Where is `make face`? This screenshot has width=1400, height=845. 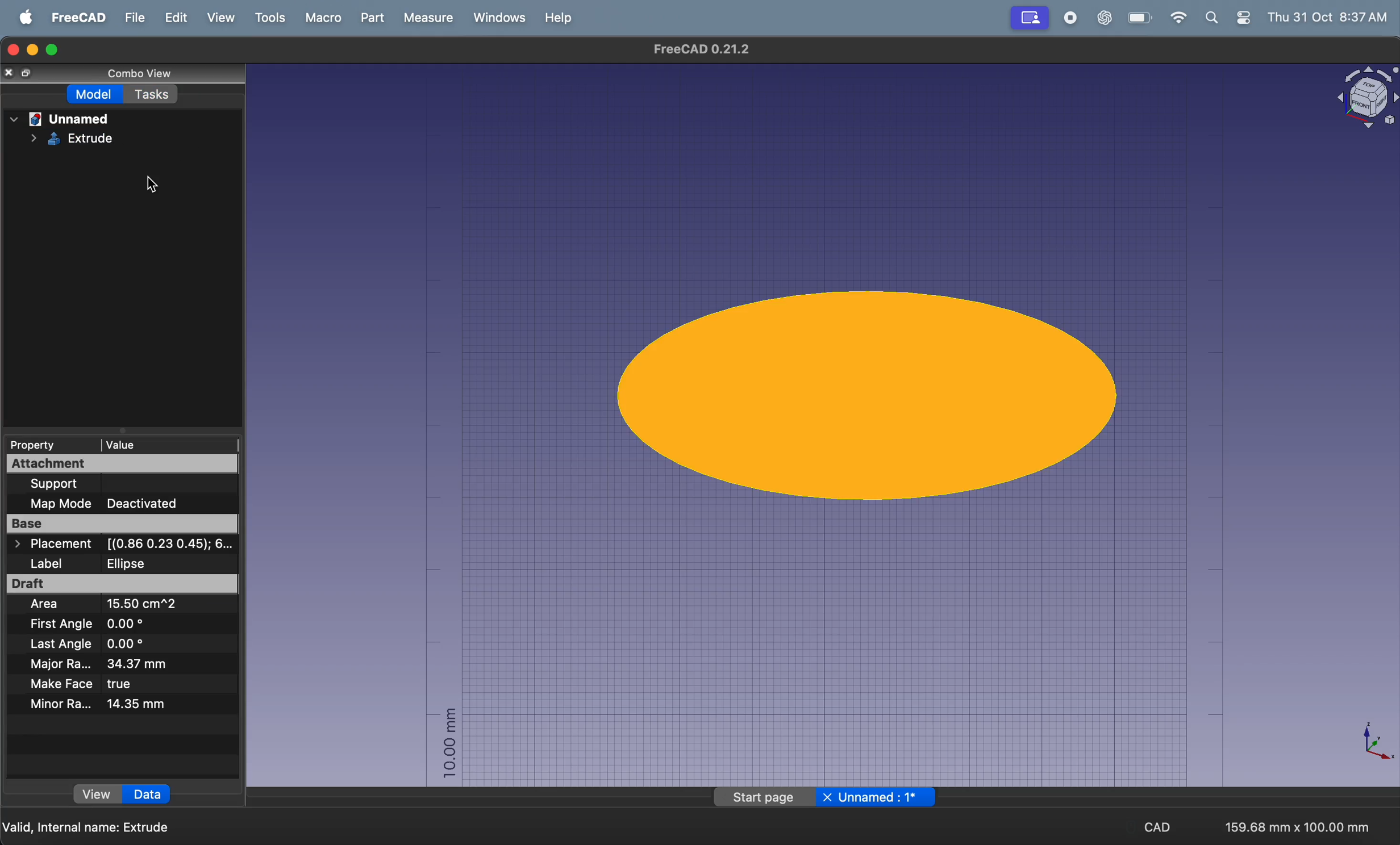 make face is located at coordinates (97, 684).